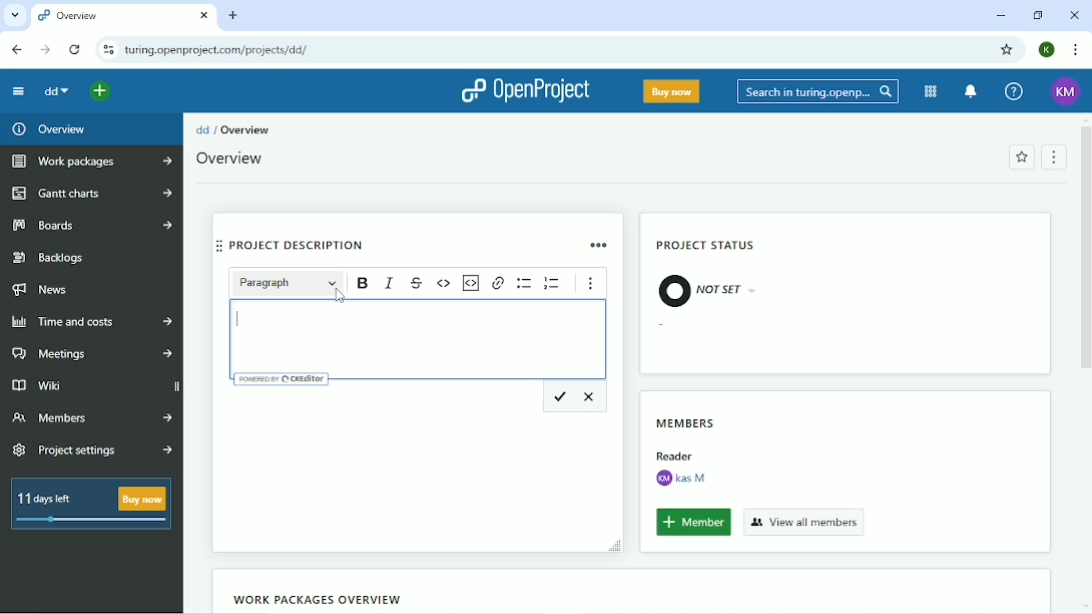 Image resolution: width=1092 pixels, height=614 pixels. I want to click on Code, so click(444, 283).